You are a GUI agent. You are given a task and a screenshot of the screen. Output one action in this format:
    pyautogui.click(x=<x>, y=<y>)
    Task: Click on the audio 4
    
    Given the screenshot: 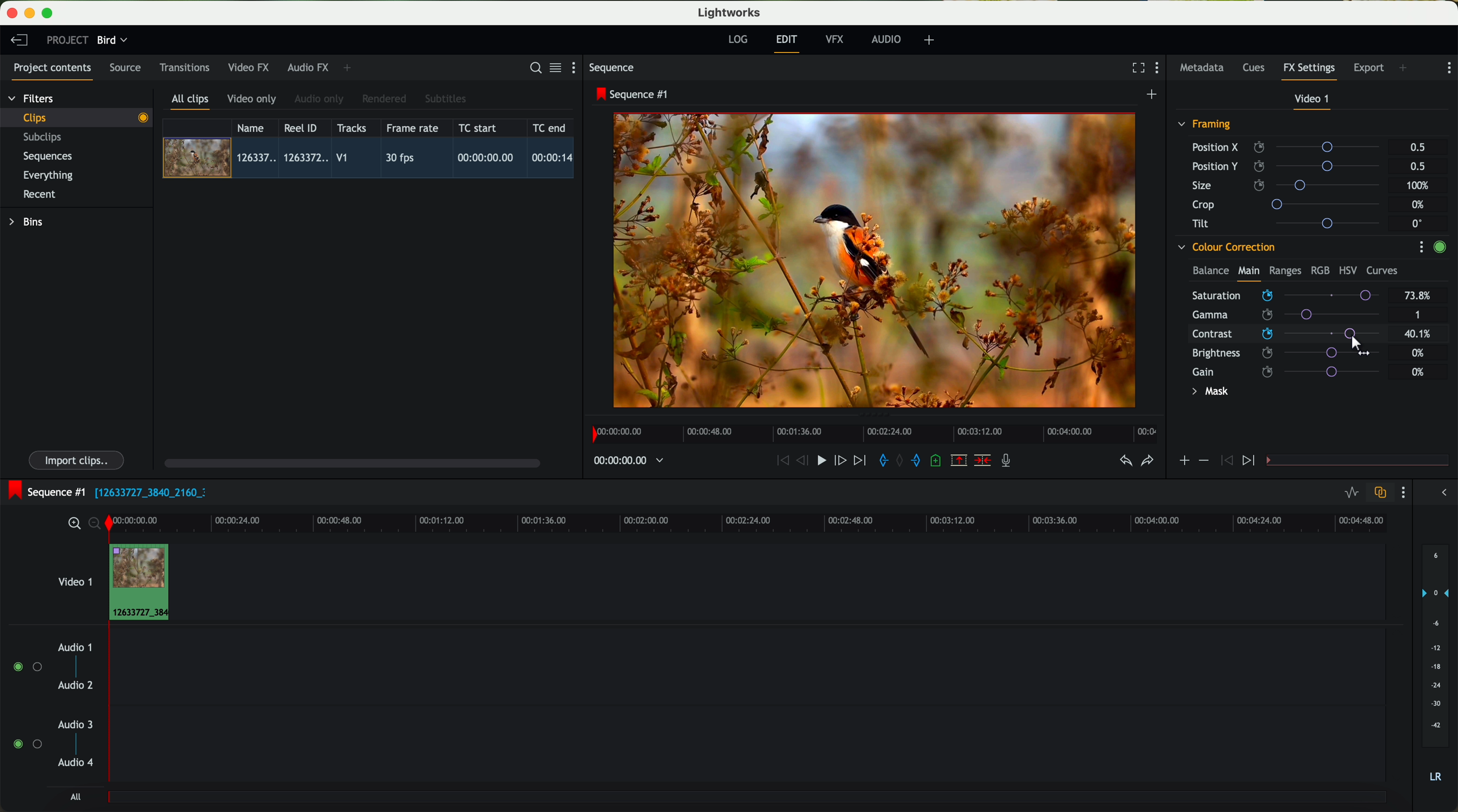 What is the action you would take?
    pyautogui.click(x=76, y=763)
    